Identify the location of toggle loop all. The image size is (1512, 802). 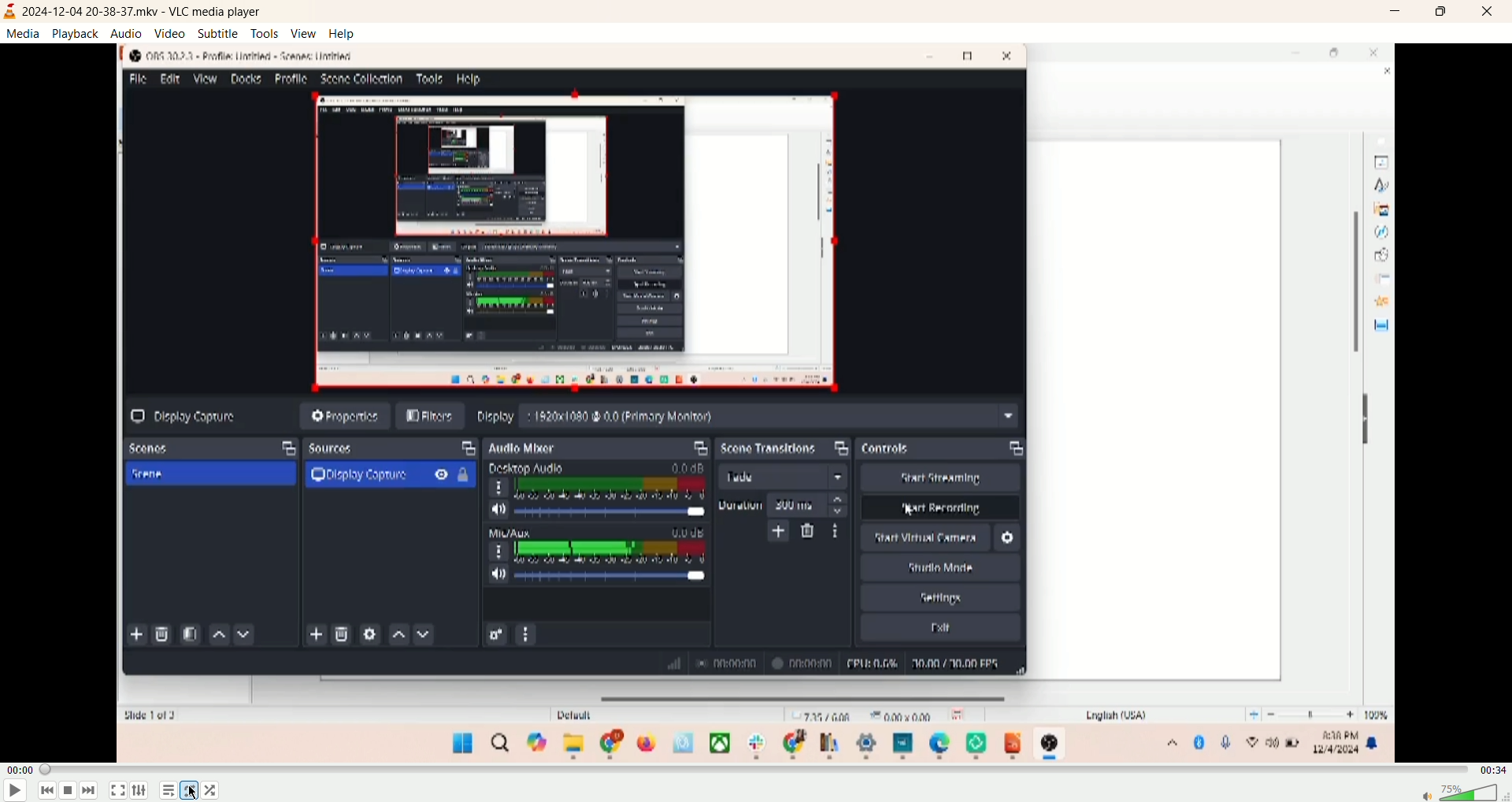
(189, 791).